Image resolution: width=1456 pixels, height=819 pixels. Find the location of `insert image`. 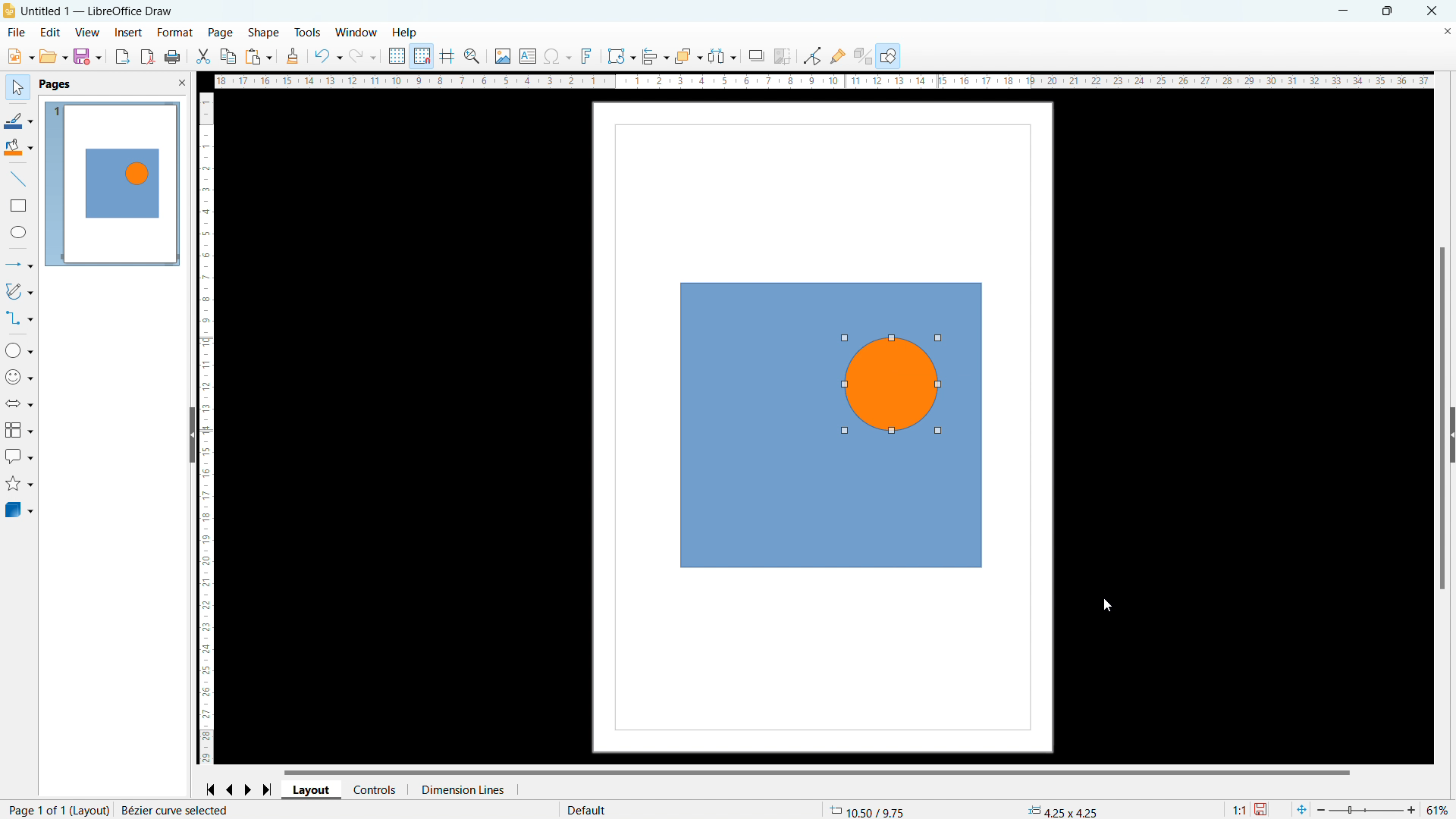

insert image is located at coordinates (503, 55).